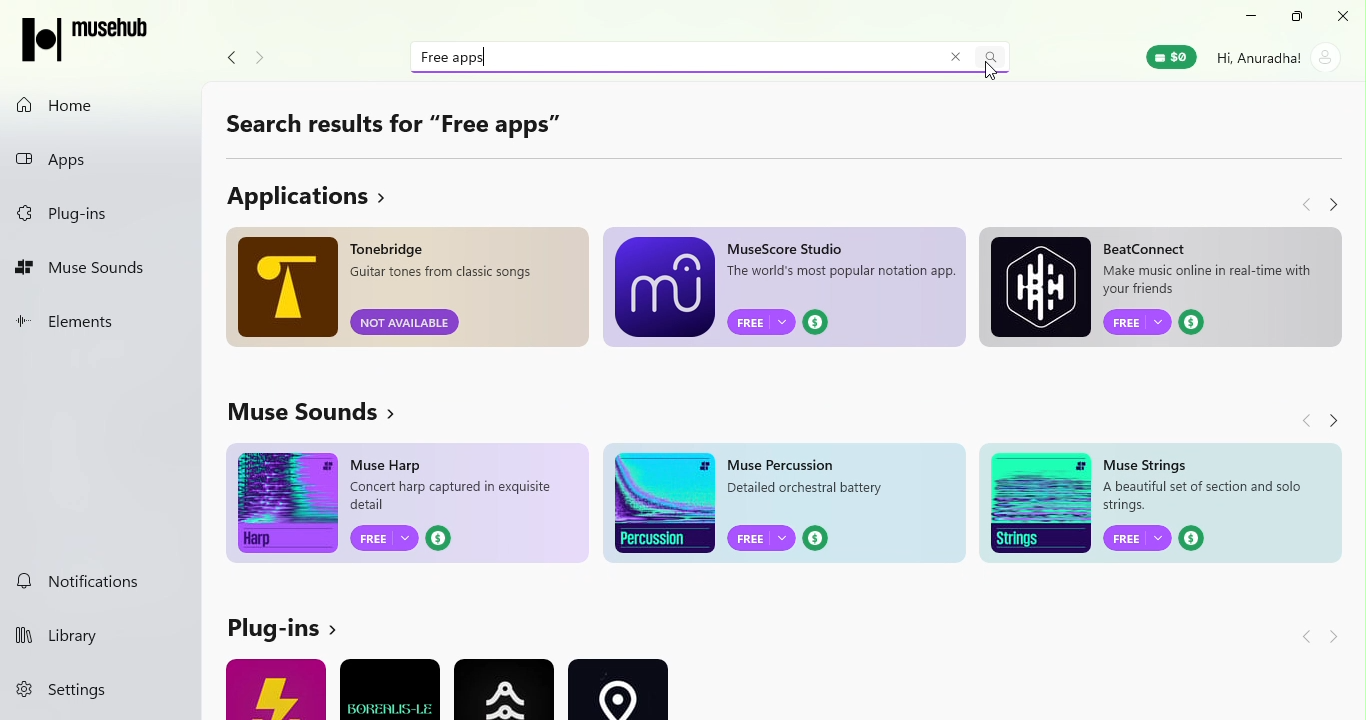 This screenshot has height=720, width=1366. Describe the element at coordinates (91, 328) in the screenshot. I see `Elements` at that location.